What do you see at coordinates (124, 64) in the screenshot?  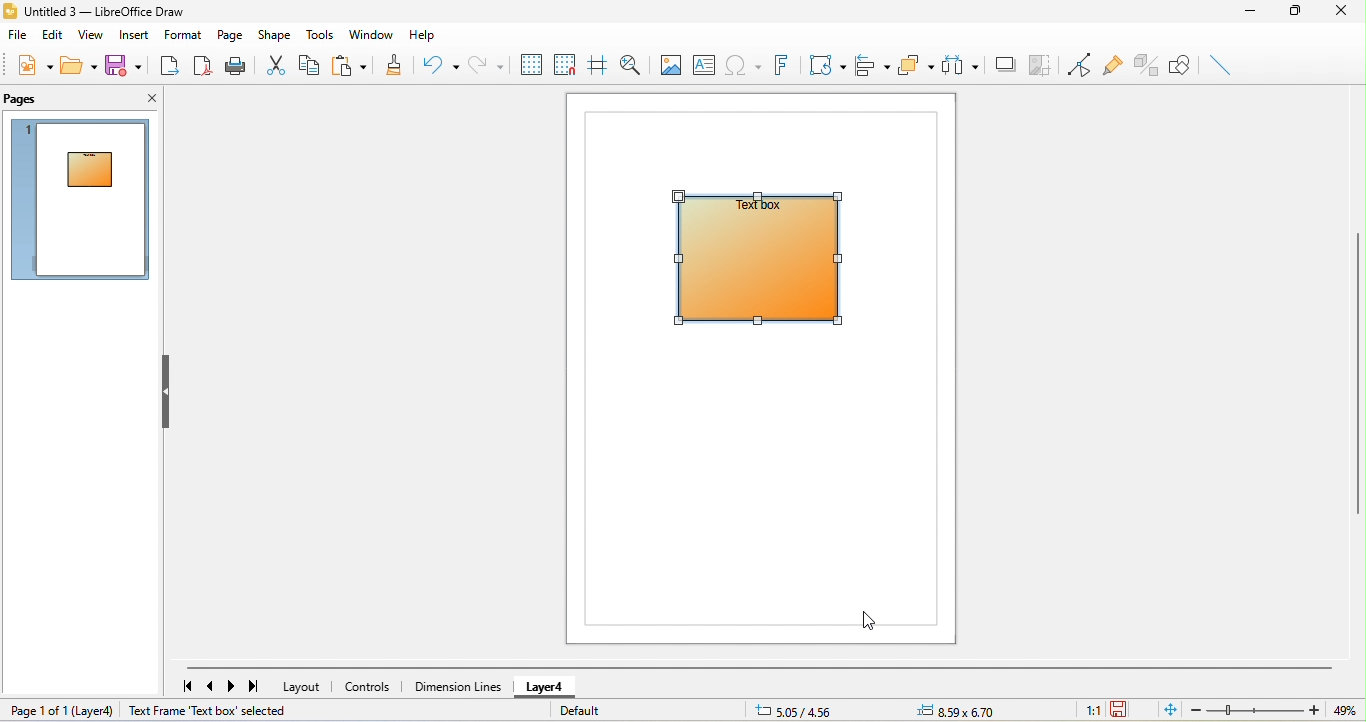 I see `save` at bounding box center [124, 64].